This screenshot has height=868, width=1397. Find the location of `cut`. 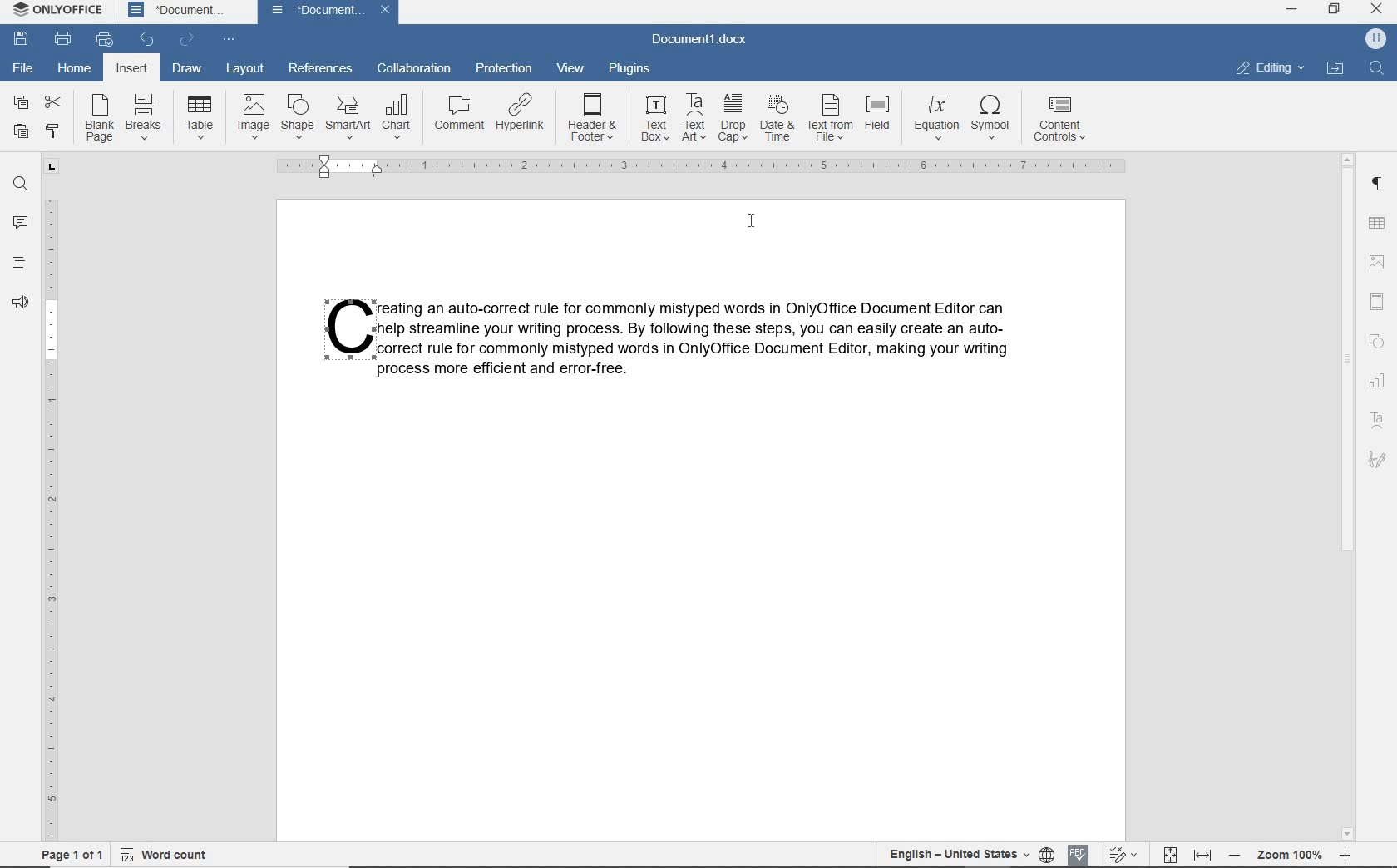

cut is located at coordinates (51, 104).